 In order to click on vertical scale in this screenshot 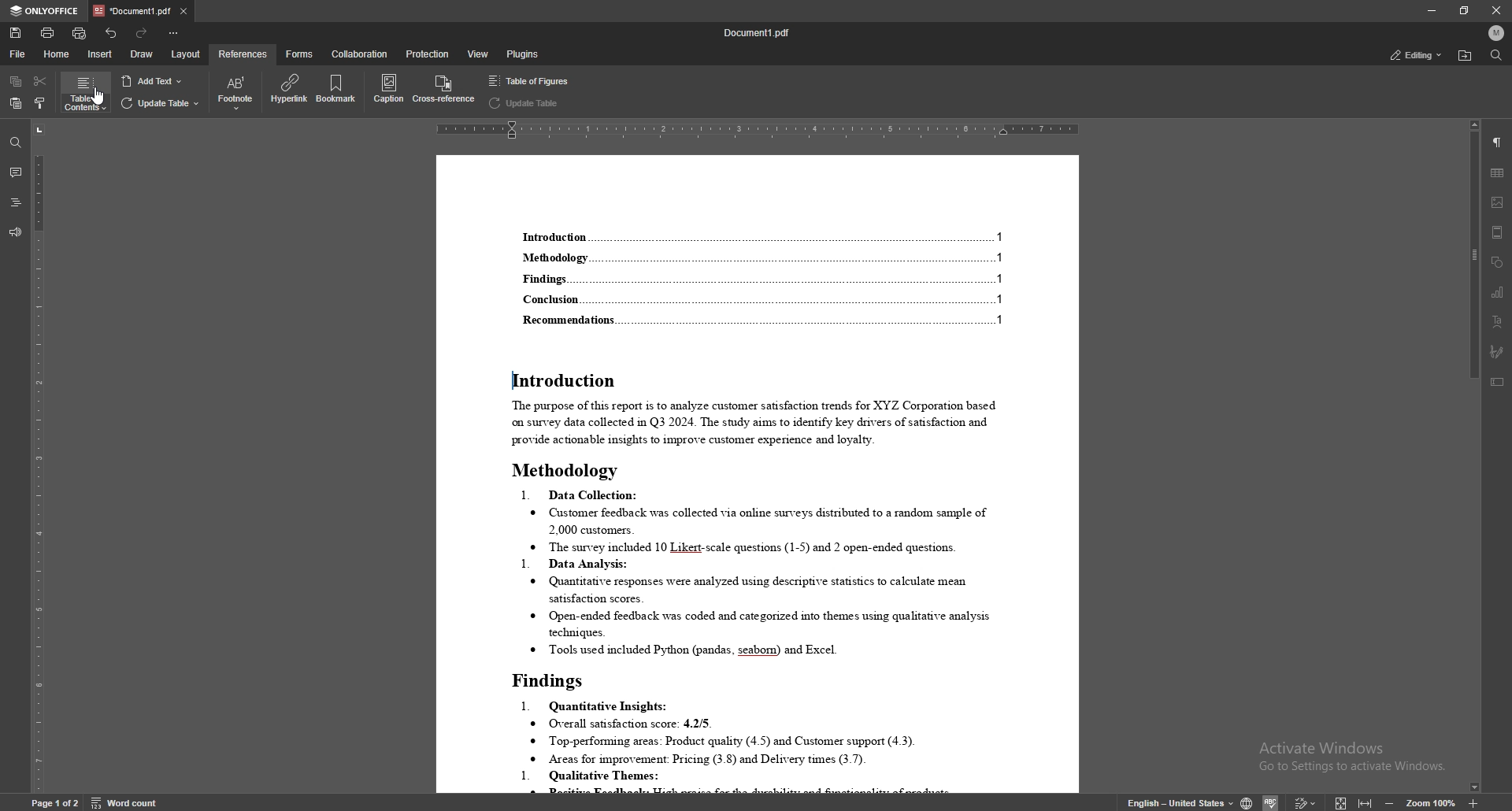, I will do `click(35, 457)`.